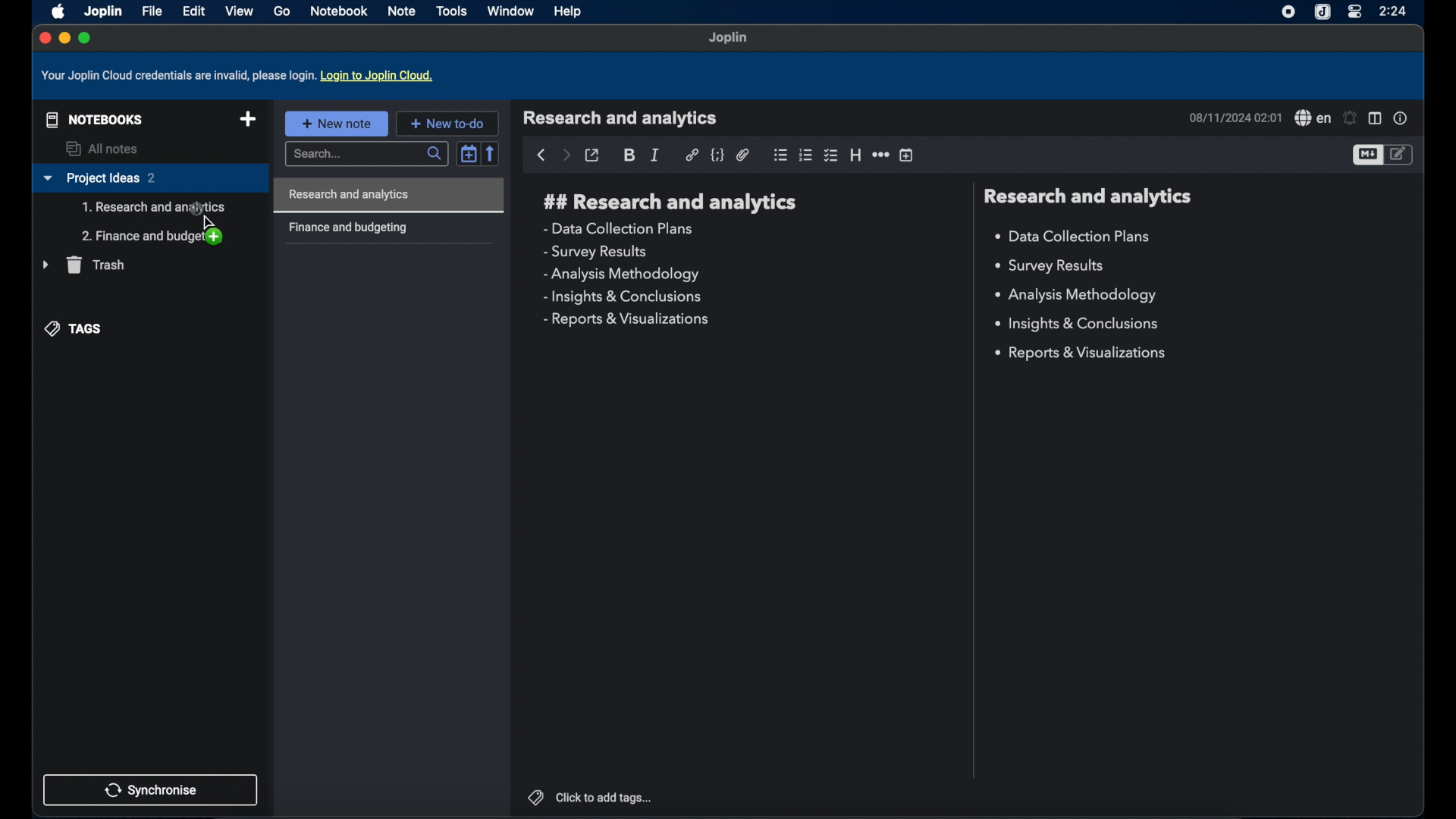  Describe the element at coordinates (388, 195) in the screenshot. I see `research and analytics highlighted ` at that location.